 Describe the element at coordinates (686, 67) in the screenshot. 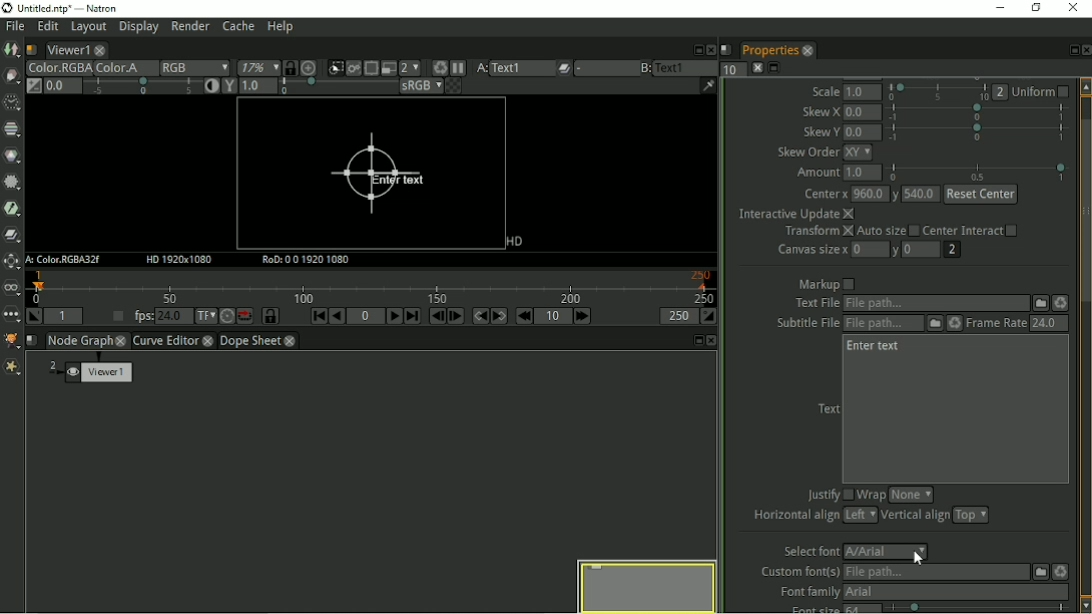

I see `text1` at that location.